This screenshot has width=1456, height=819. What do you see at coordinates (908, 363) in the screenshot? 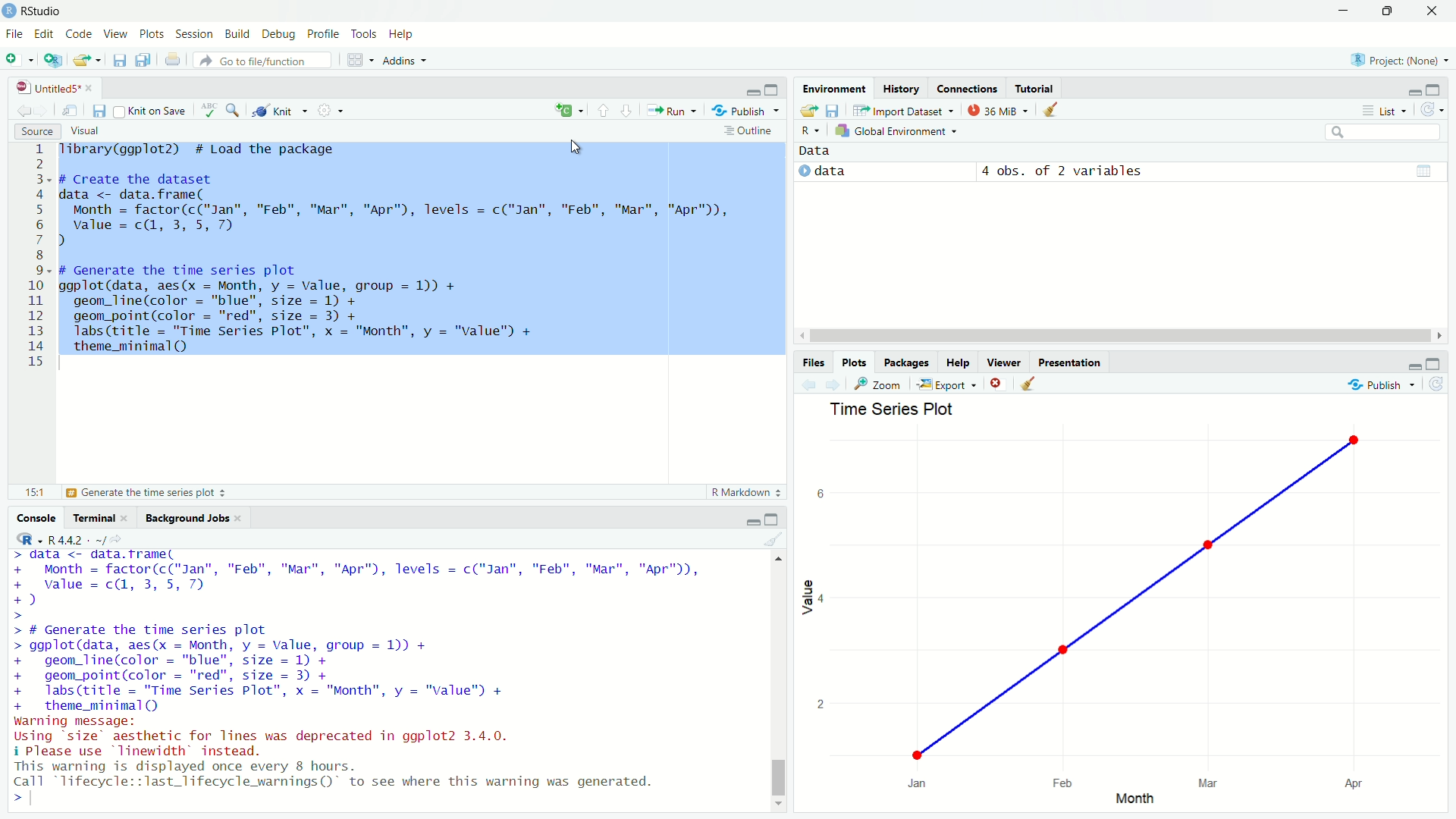
I see `packages` at bounding box center [908, 363].